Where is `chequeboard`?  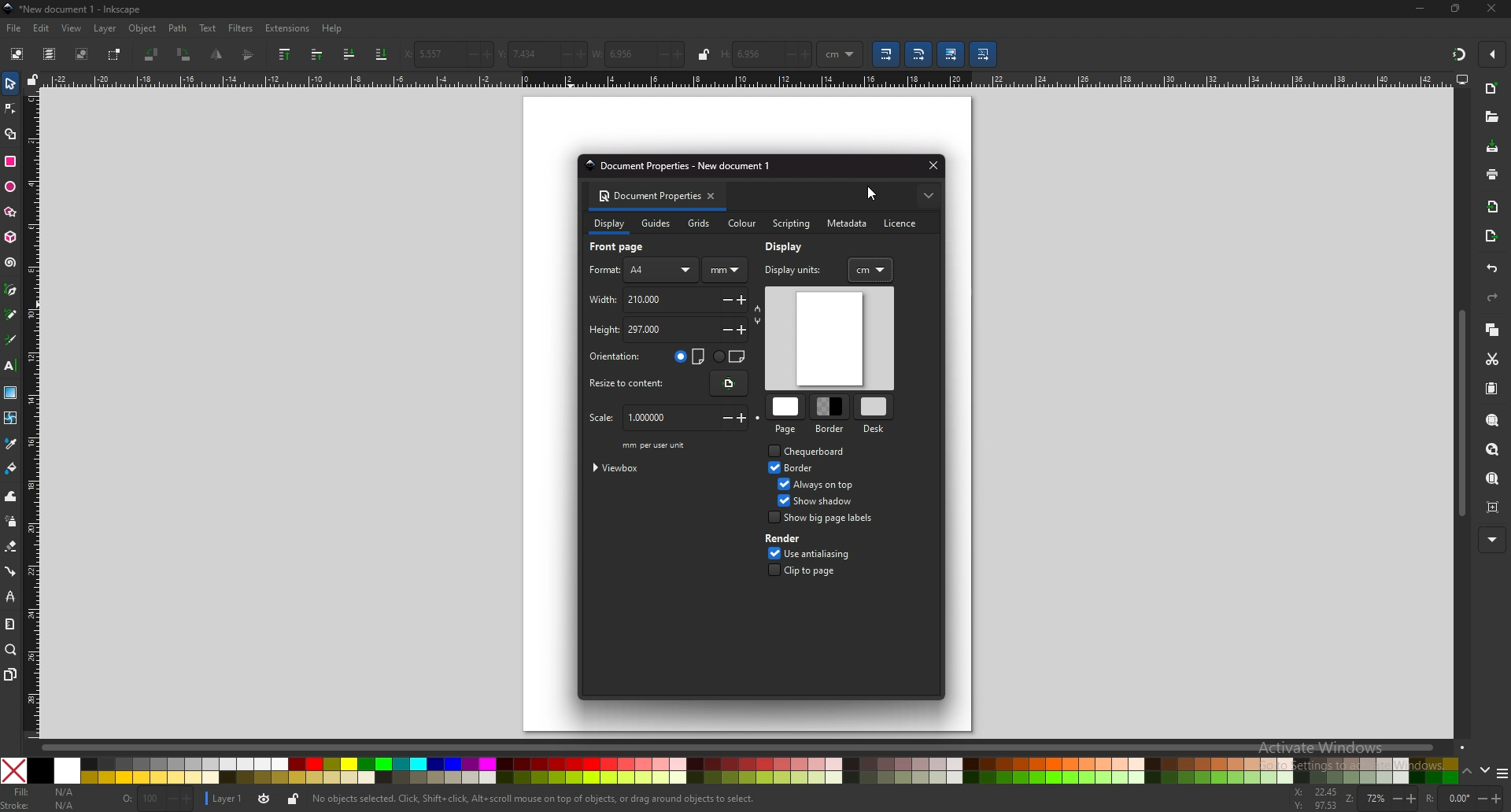 chequeboard is located at coordinates (819, 451).